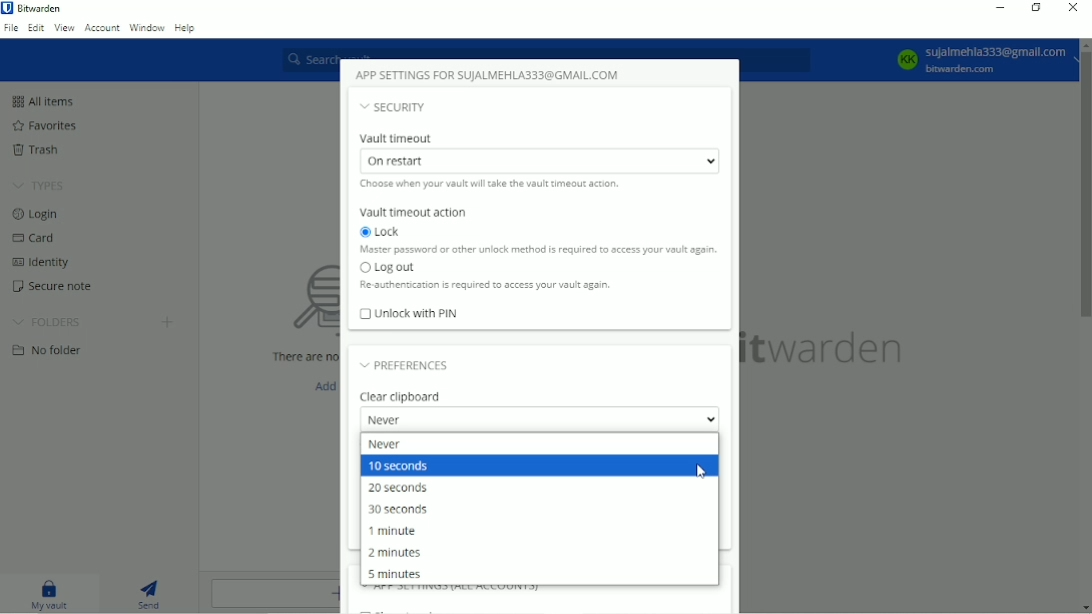  What do you see at coordinates (42, 100) in the screenshot?
I see `All items` at bounding box center [42, 100].